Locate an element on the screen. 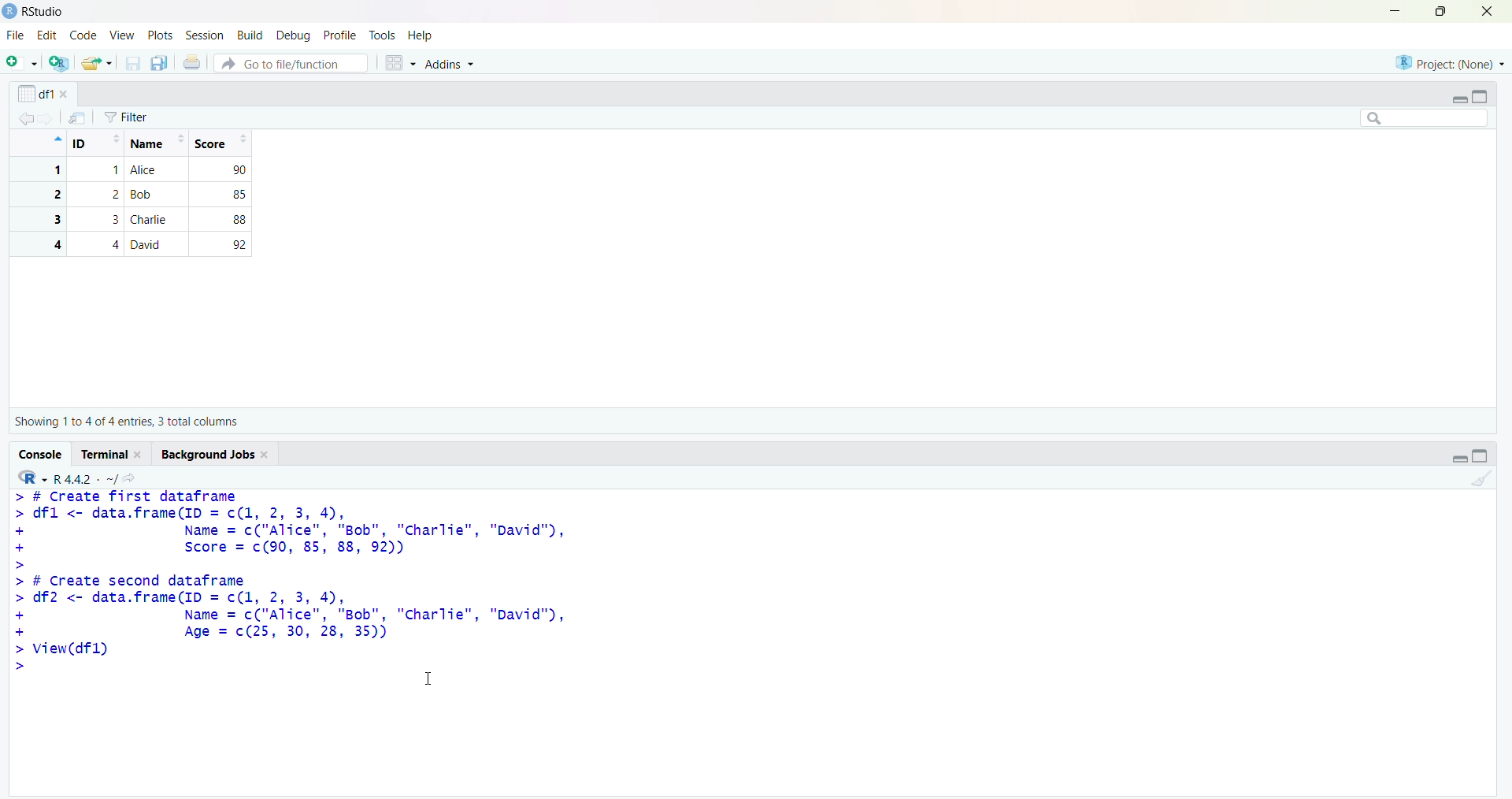 This screenshot has height=799, width=1512. print is located at coordinates (193, 61).